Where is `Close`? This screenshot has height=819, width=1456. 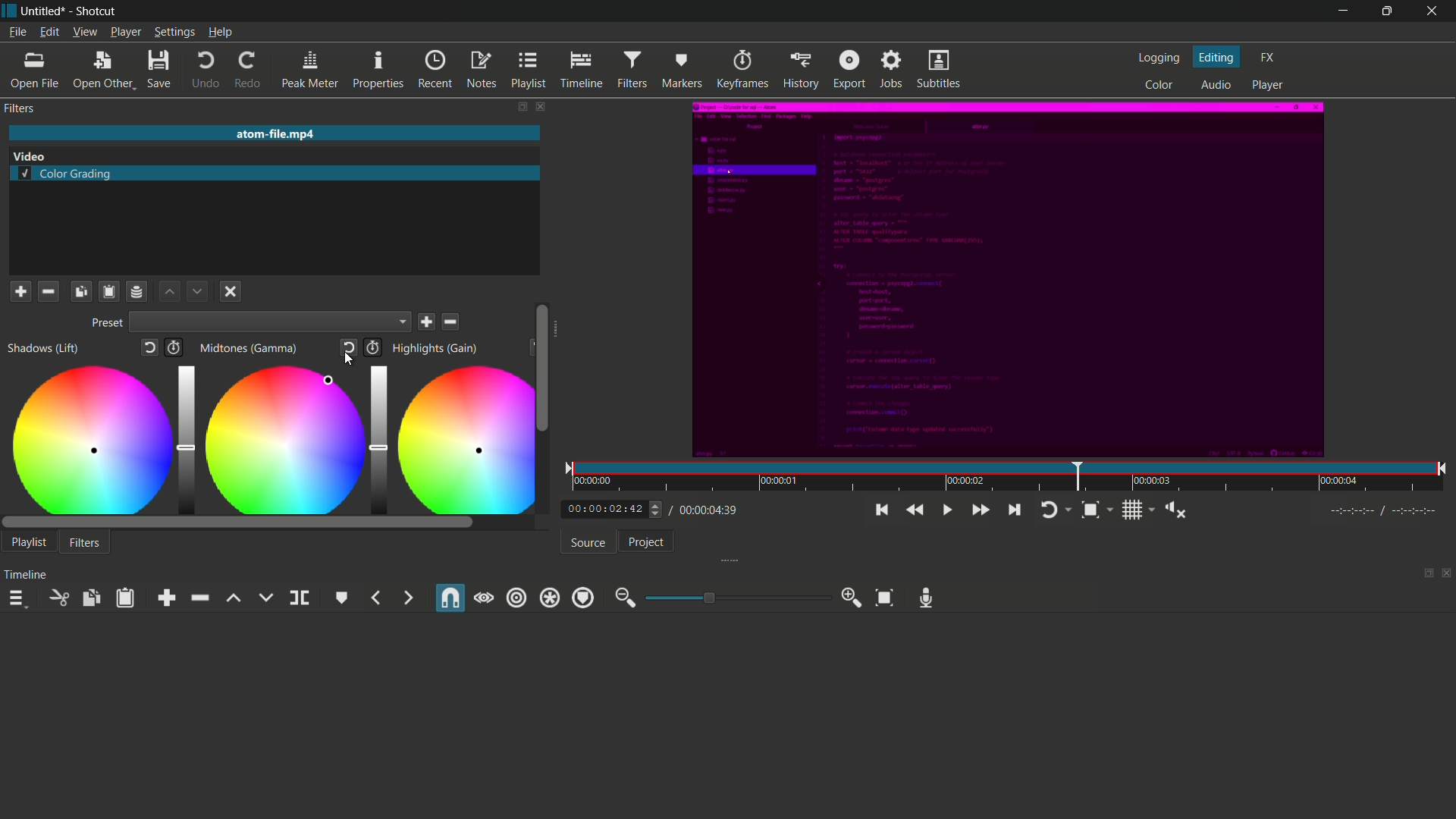
Close is located at coordinates (229, 293).